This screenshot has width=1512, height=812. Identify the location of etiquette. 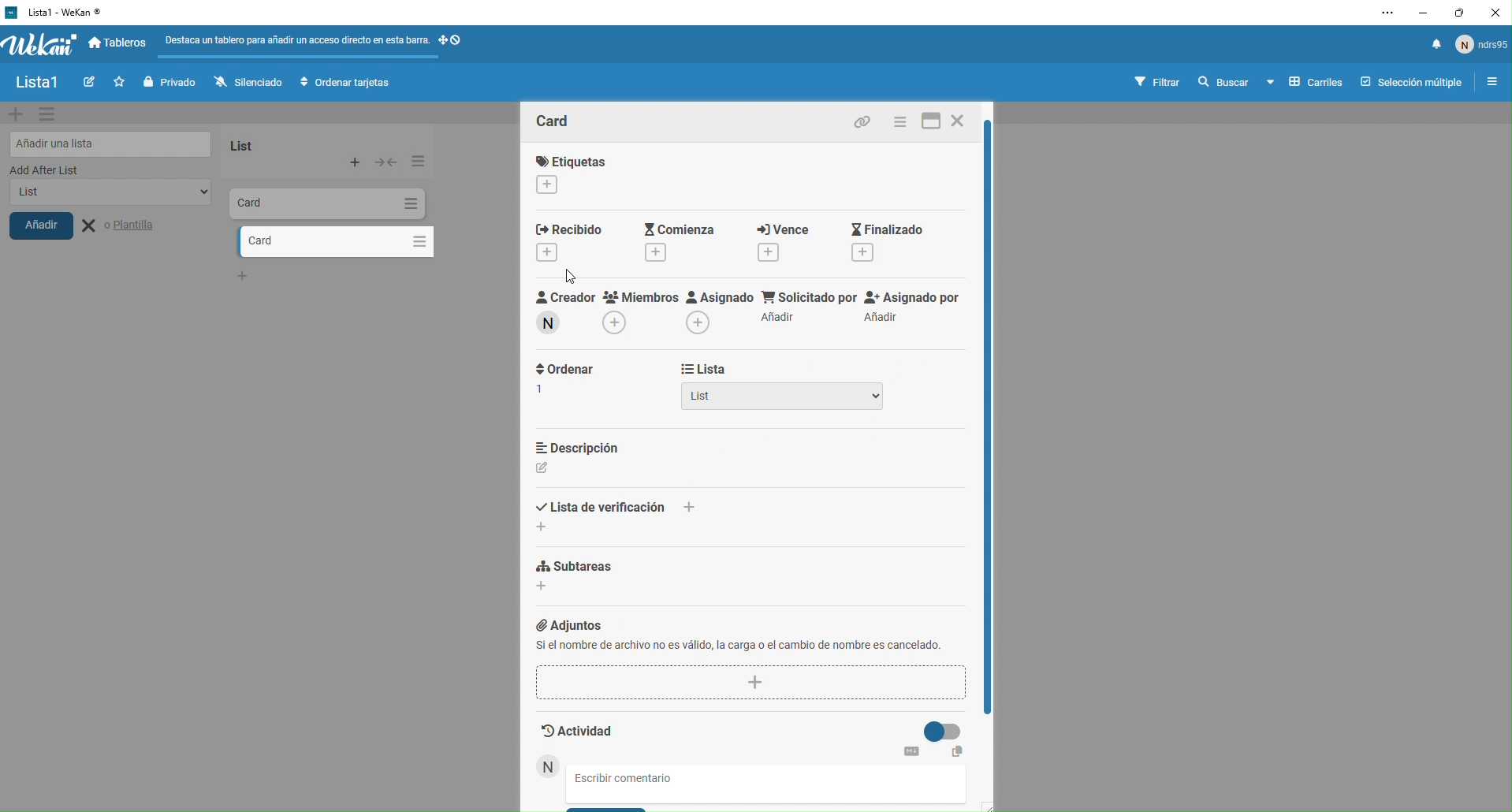
(593, 173).